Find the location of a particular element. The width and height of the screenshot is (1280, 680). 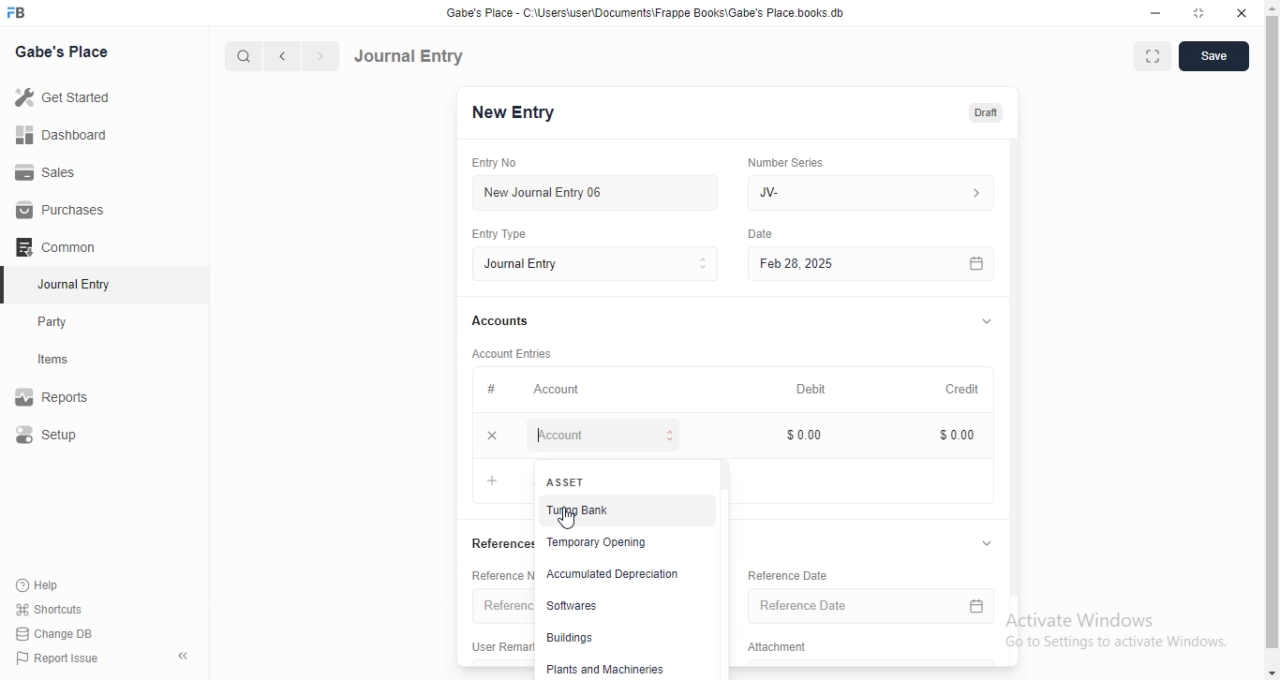

$000 is located at coordinates (963, 435).